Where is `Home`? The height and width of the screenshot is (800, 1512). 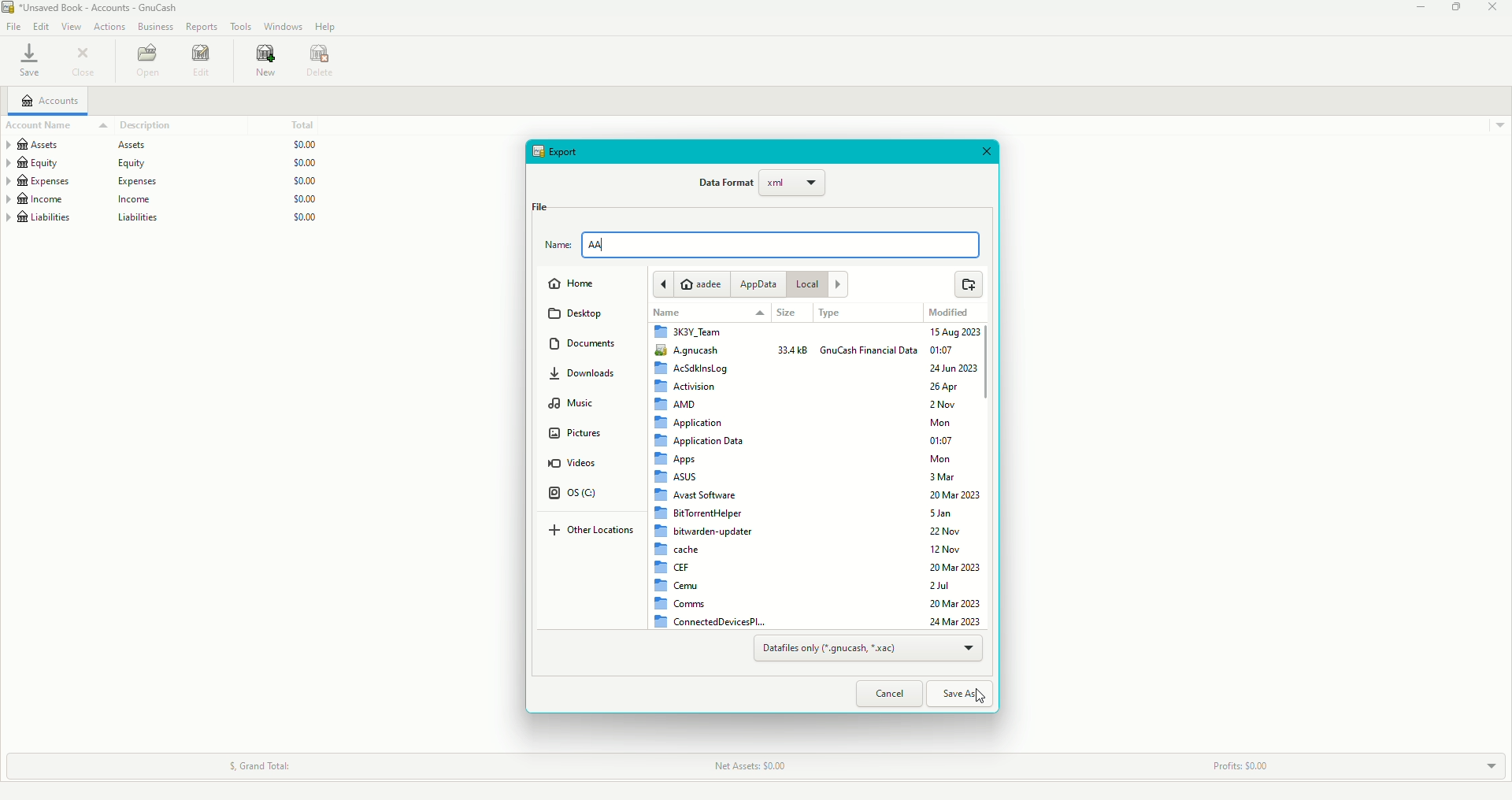 Home is located at coordinates (576, 286).